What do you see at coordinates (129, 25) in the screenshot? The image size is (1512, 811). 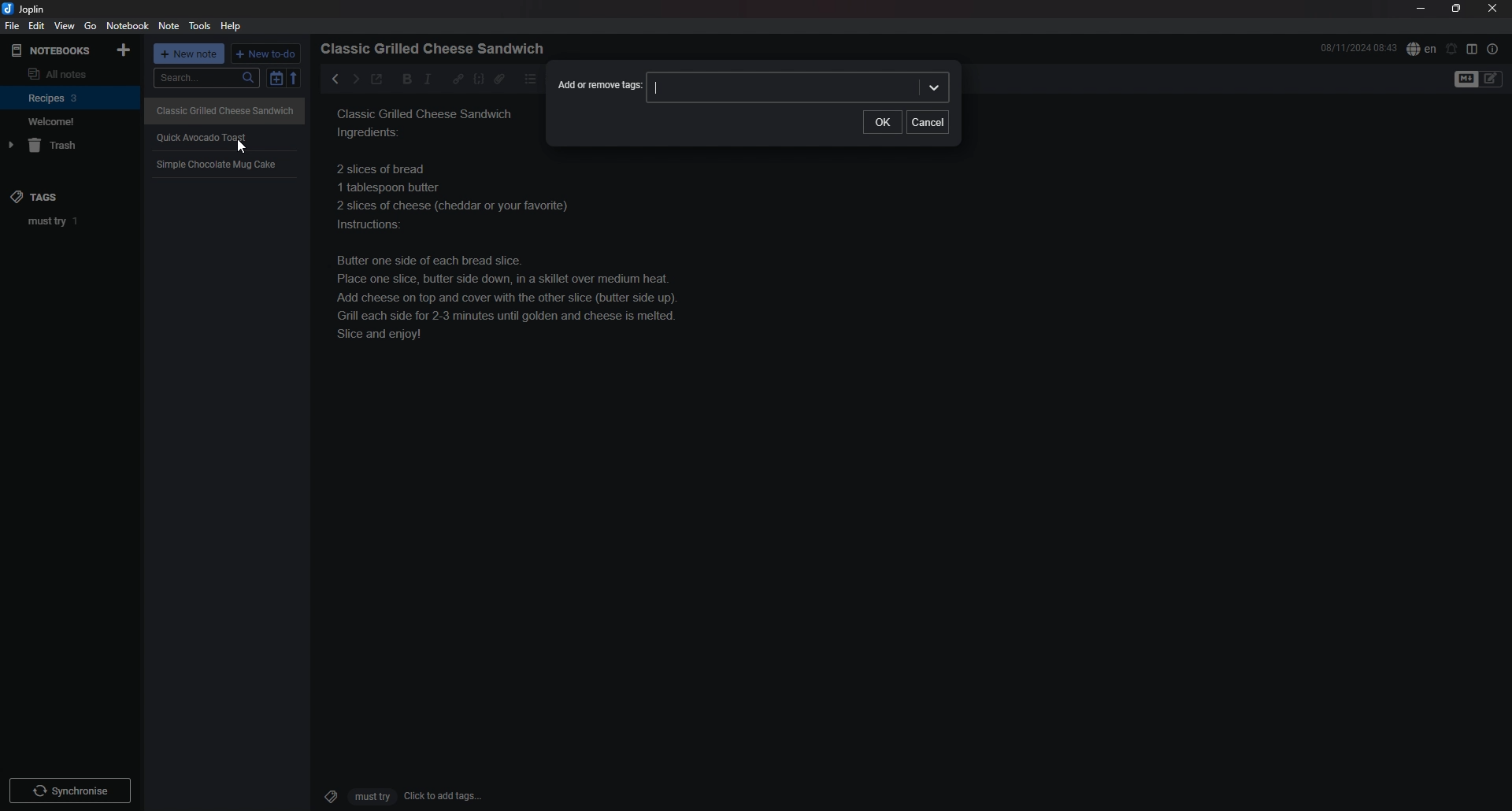 I see `notebook` at bounding box center [129, 25].